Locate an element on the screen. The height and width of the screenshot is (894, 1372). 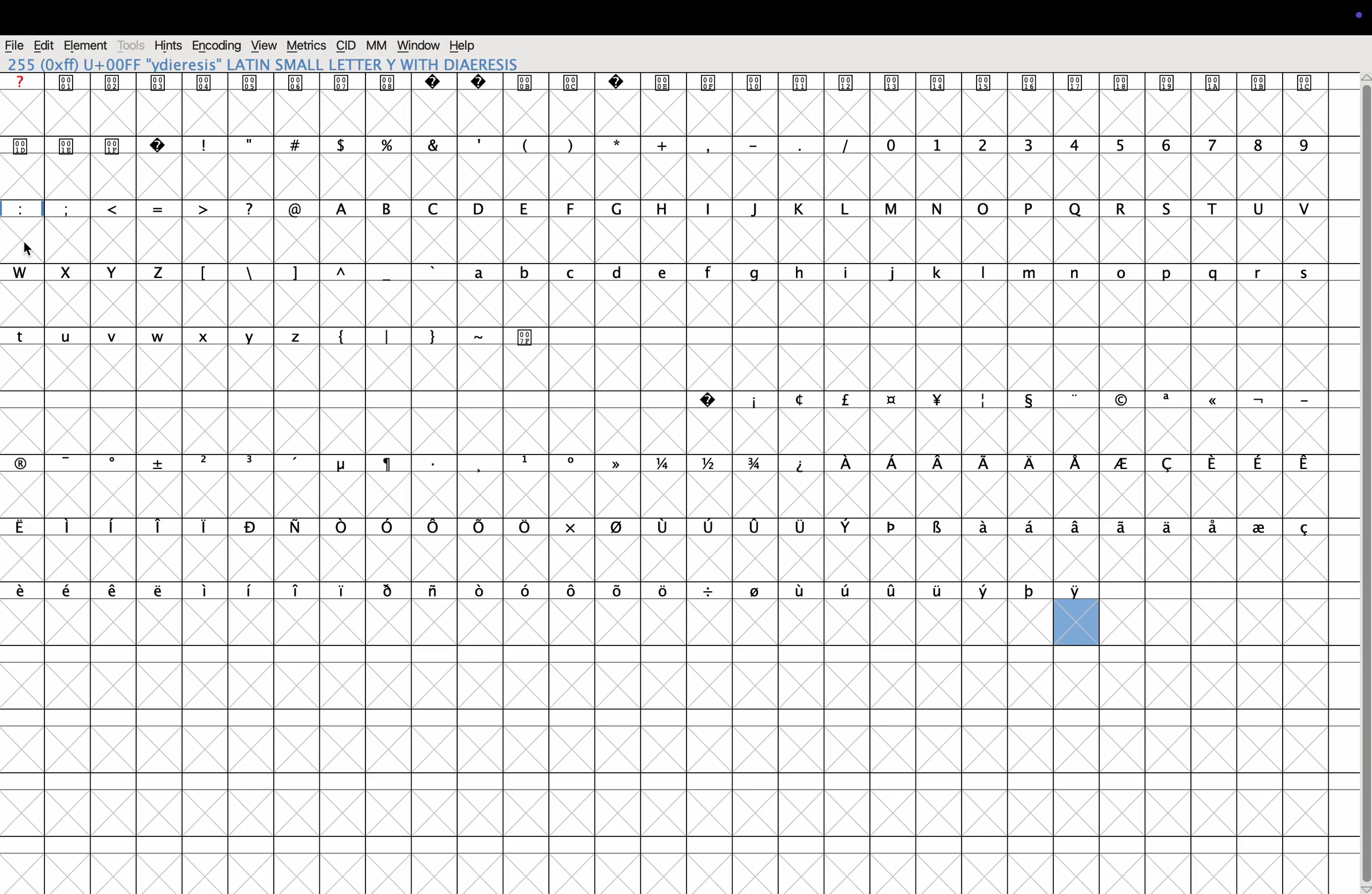
Special character is located at coordinates (544, 358).